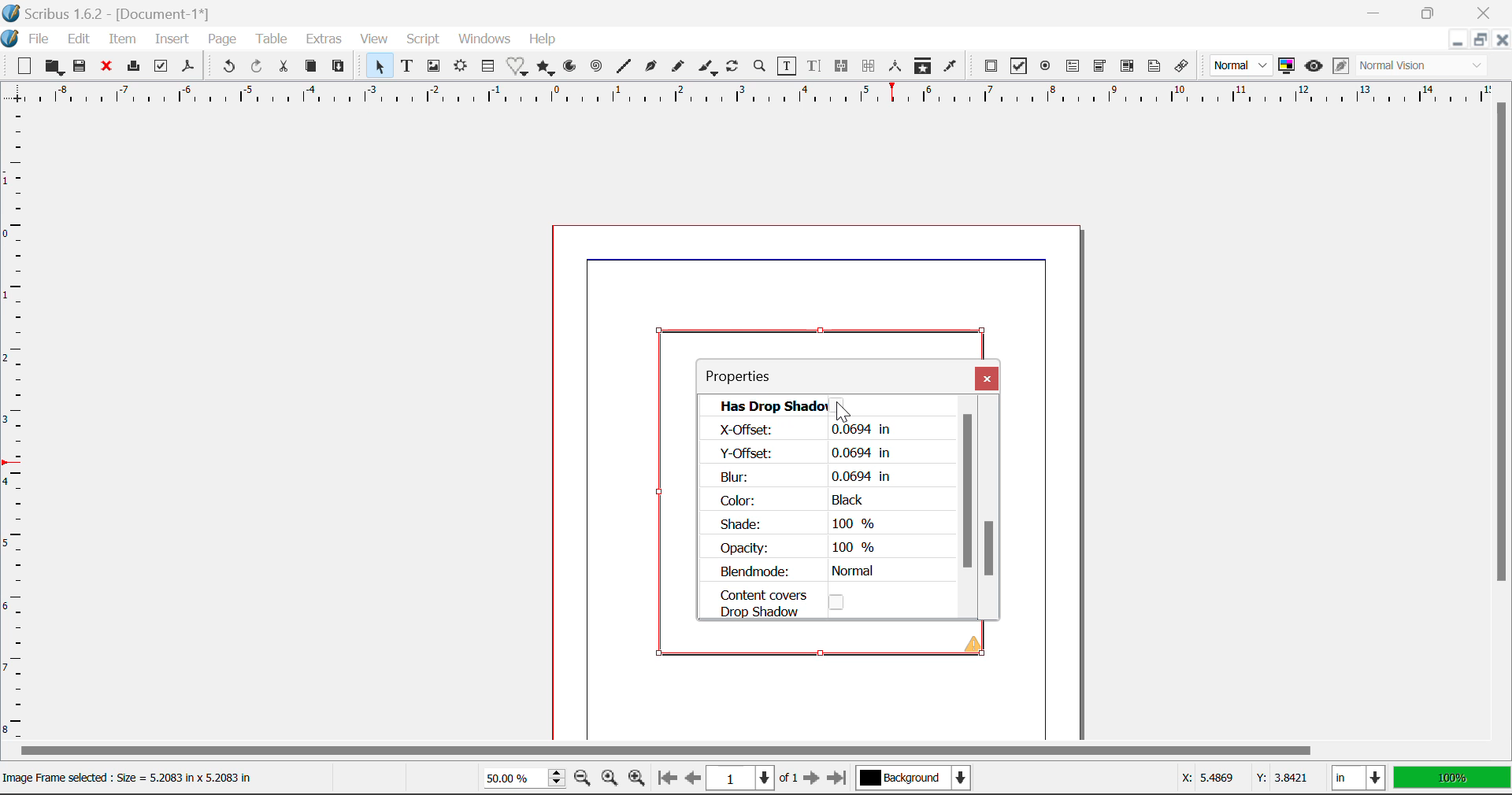  I want to click on Refresh, so click(733, 67).